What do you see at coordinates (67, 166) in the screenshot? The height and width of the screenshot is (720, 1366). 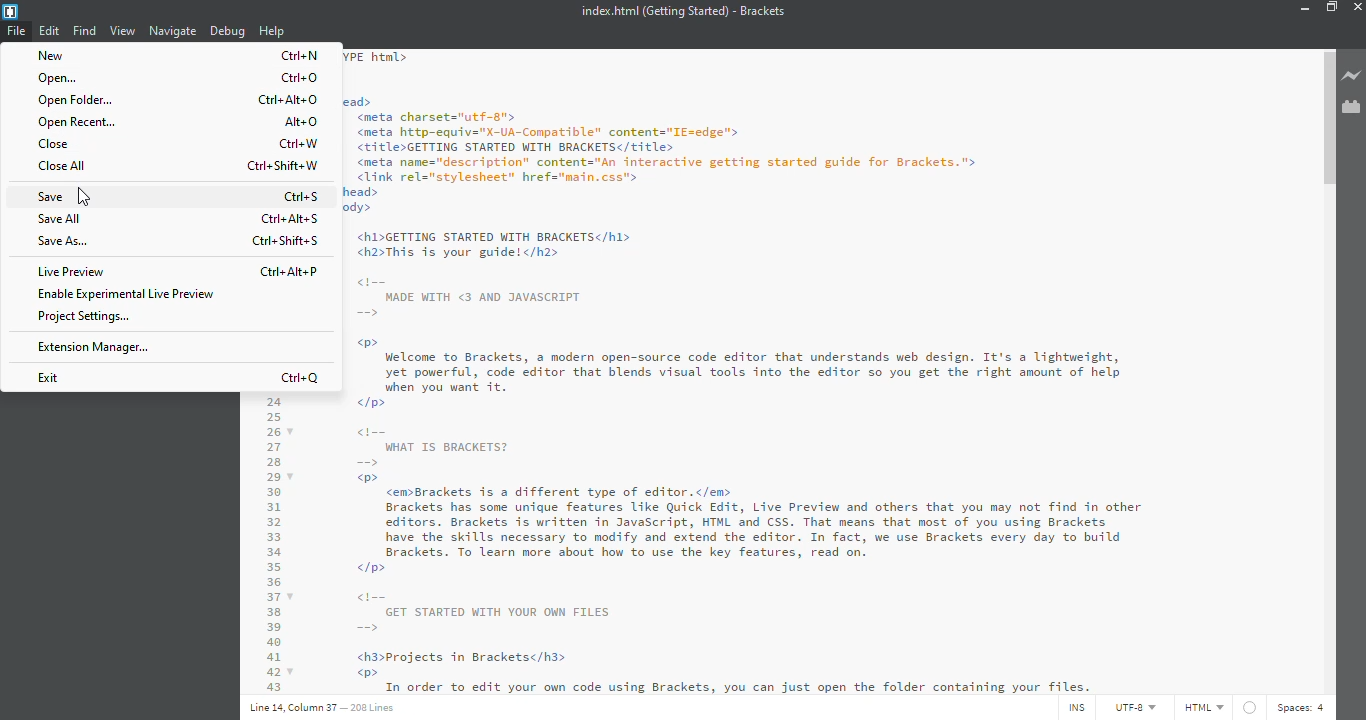 I see `close all` at bounding box center [67, 166].